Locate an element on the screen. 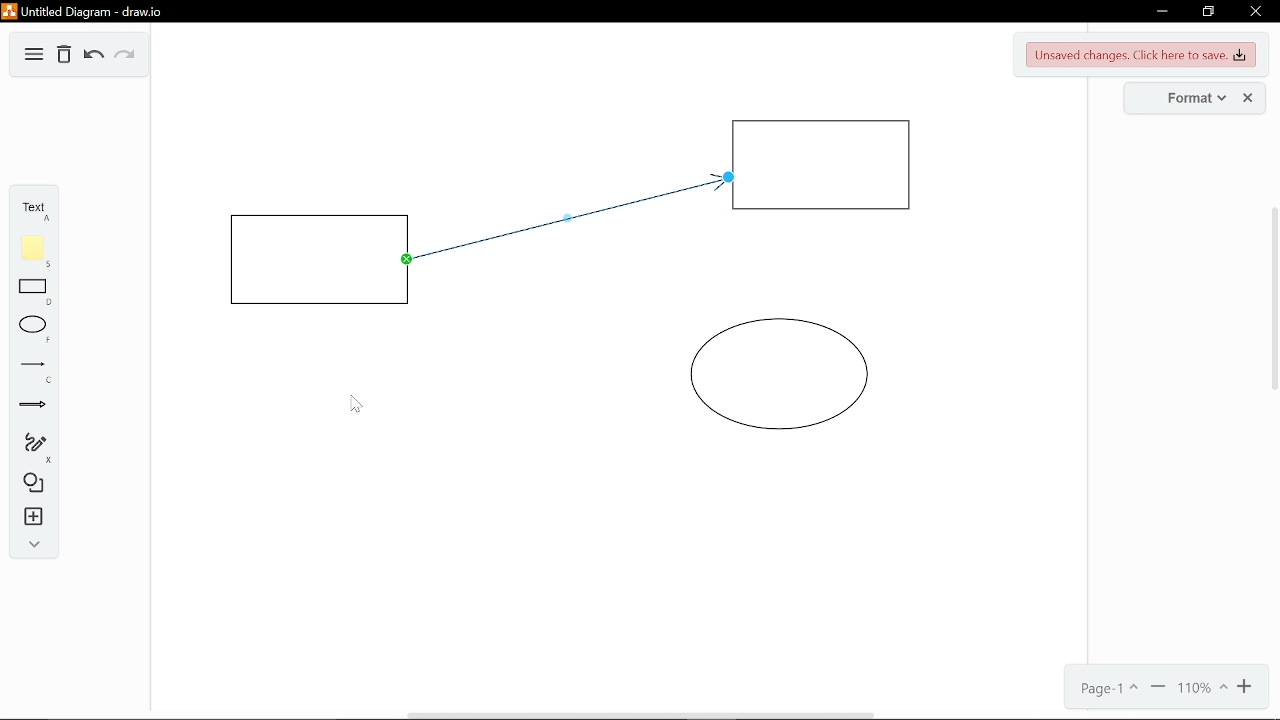 The height and width of the screenshot is (720, 1280). Close format is located at coordinates (1250, 98).